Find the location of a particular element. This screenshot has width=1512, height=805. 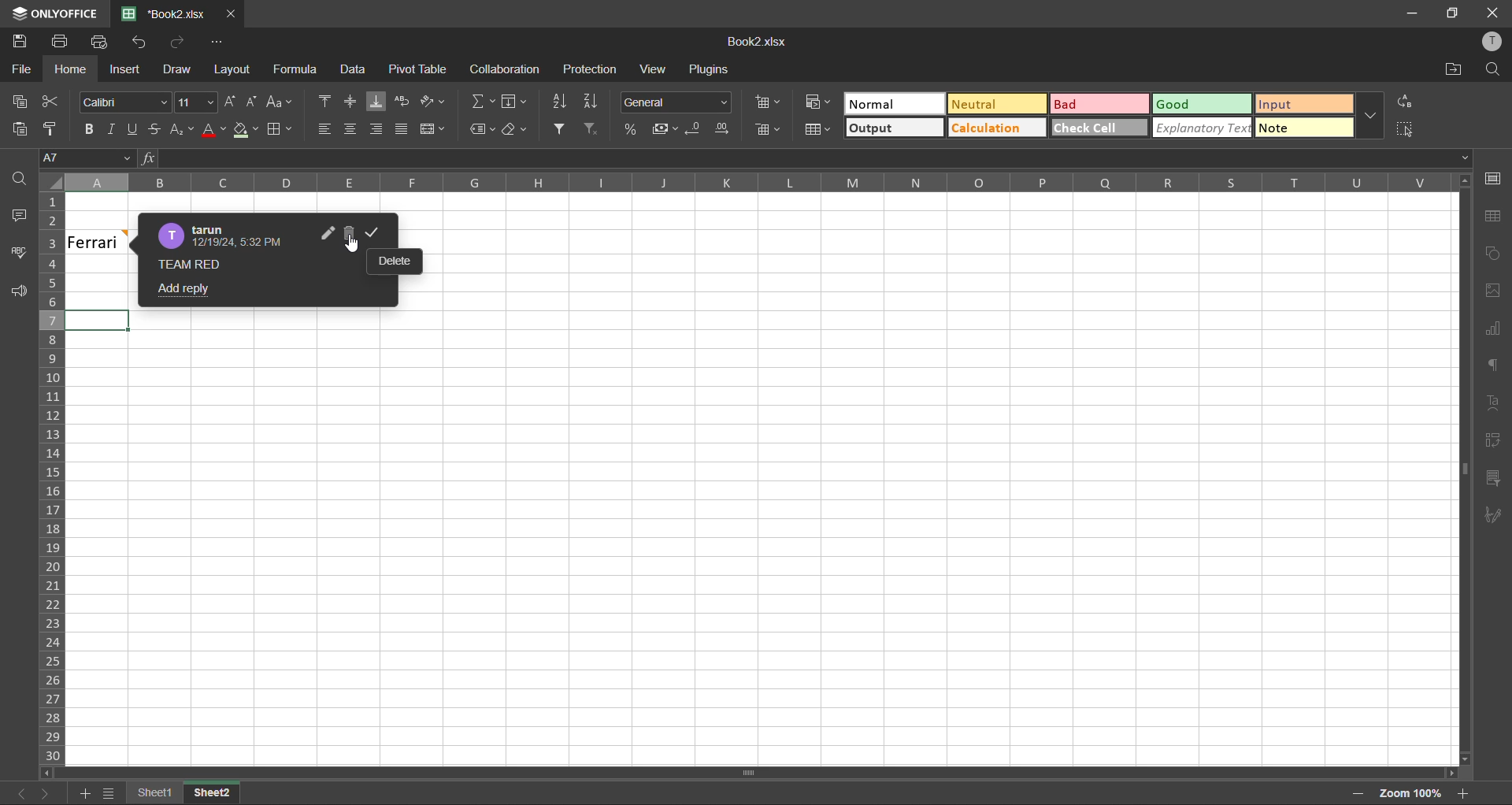

decrement size is located at coordinates (254, 104).